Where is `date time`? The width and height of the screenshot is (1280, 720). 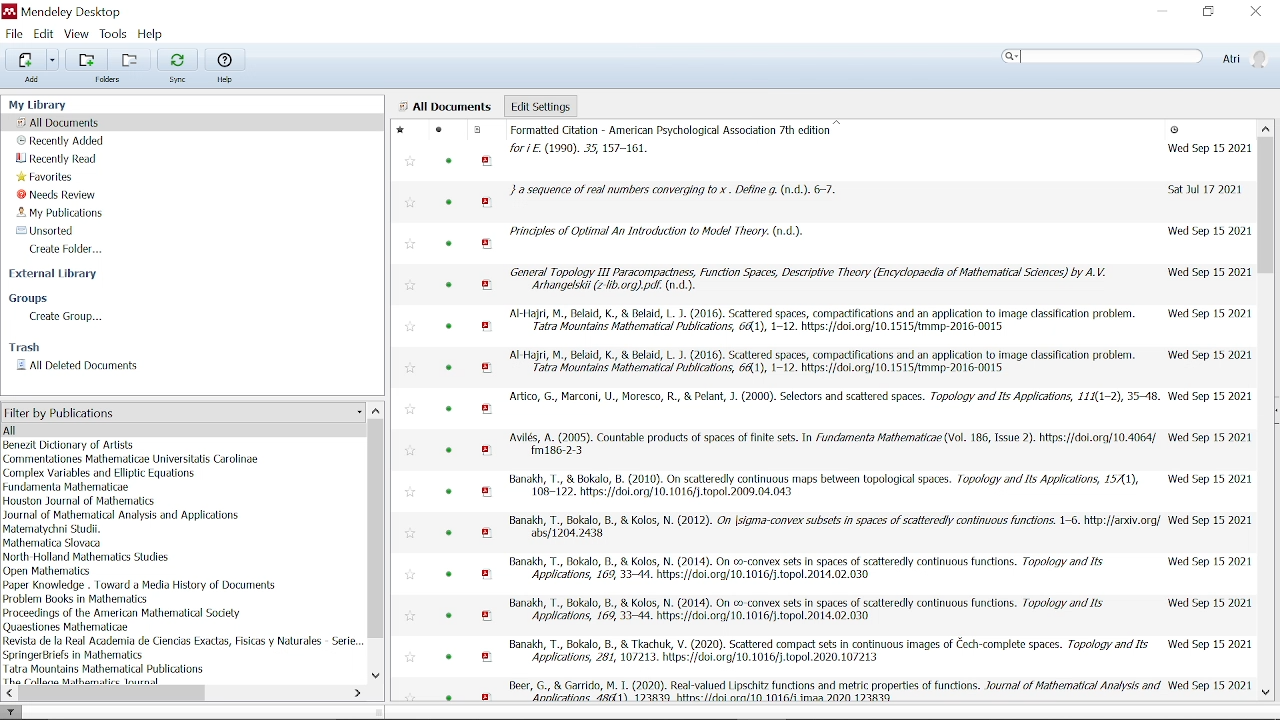 date time is located at coordinates (1176, 131).